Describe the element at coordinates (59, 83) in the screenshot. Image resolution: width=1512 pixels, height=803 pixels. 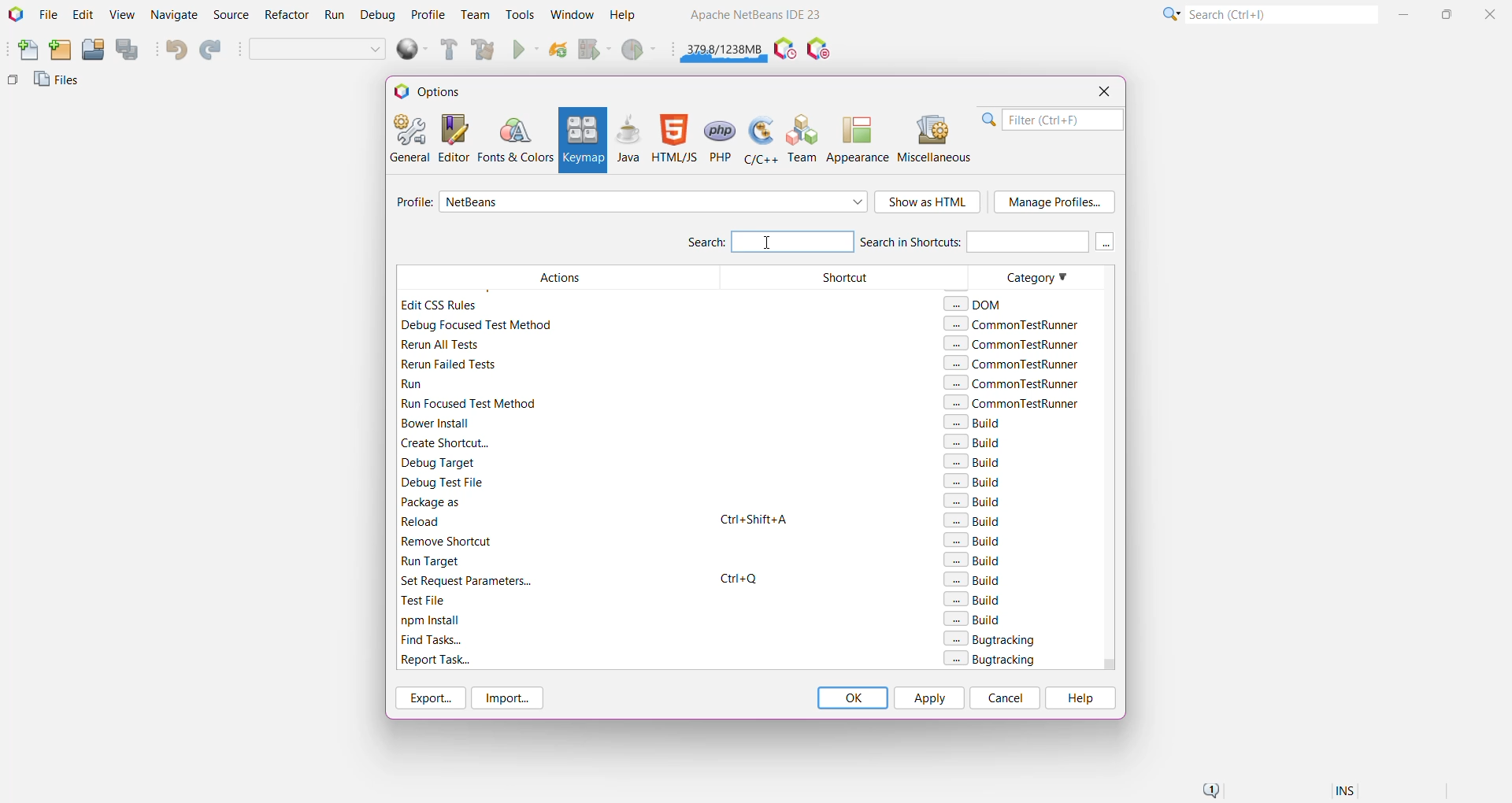
I see `Files` at that location.